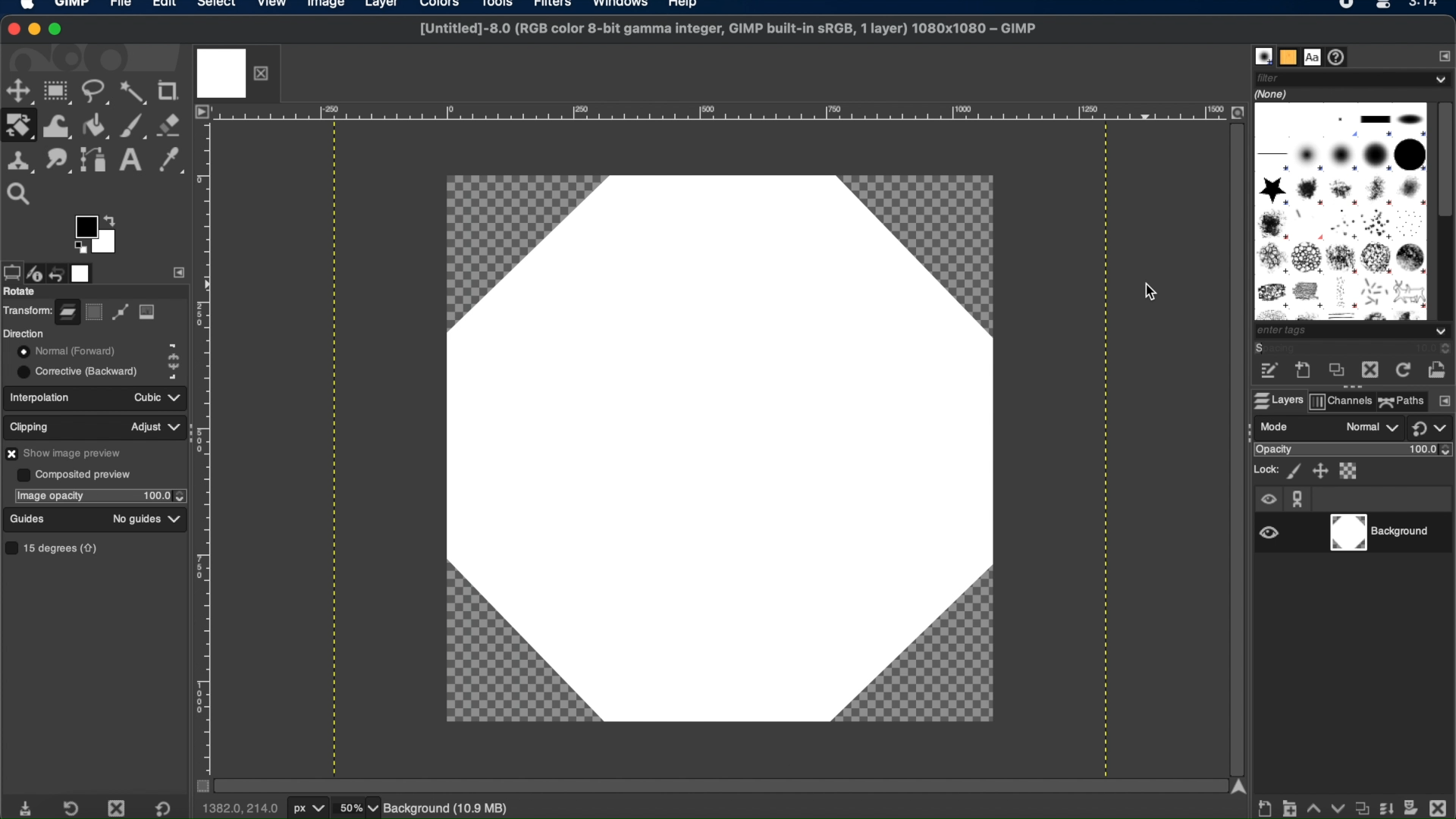 The height and width of the screenshot is (819, 1456). What do you see at coordinates (174, 349) in the screenshot?
I see `normal forward` at bounding box center [174, 349].